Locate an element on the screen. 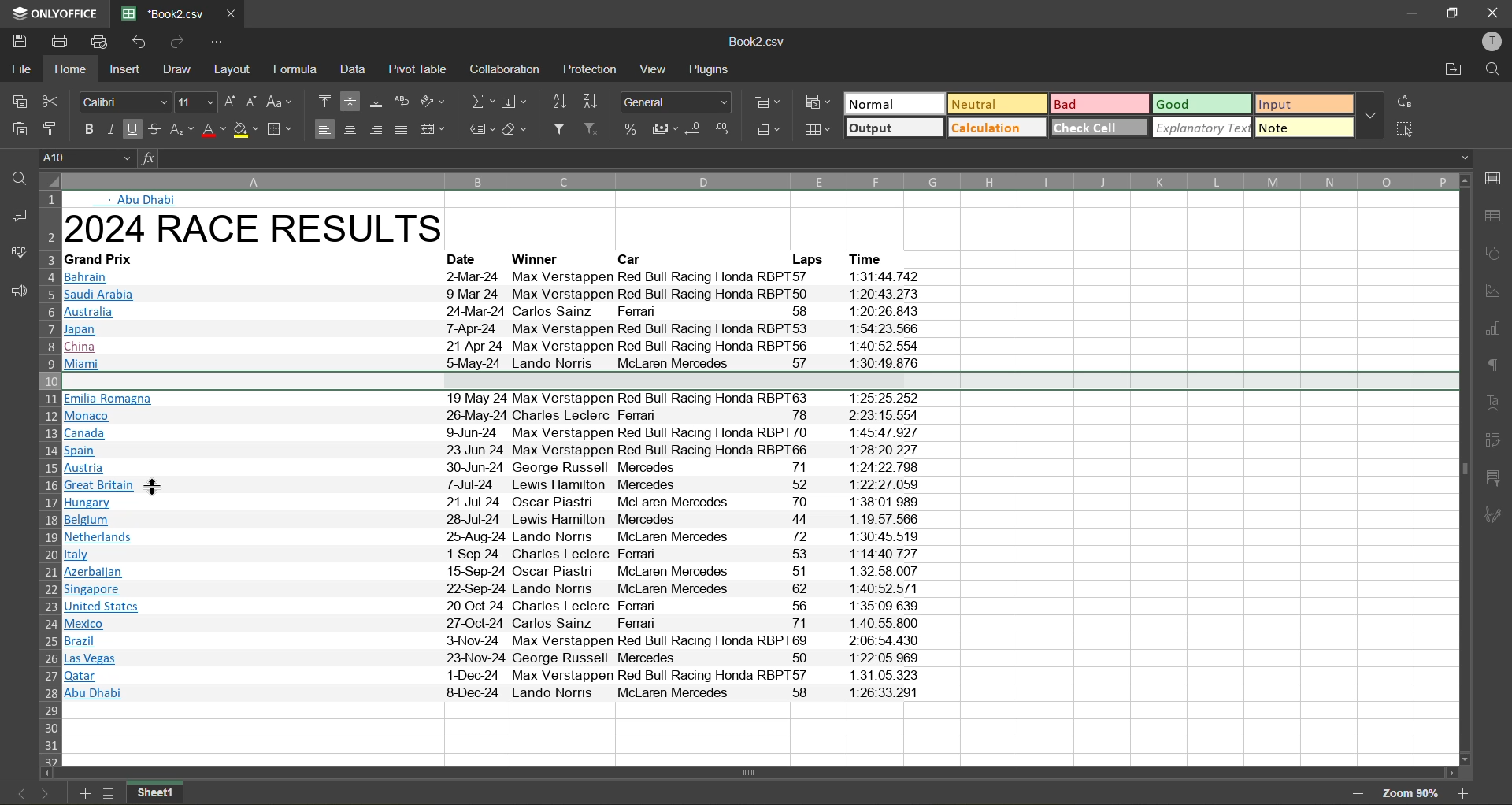 The height and width of the screenshot is (805, 1512). pivot table is located at coordinates (1499, 443).